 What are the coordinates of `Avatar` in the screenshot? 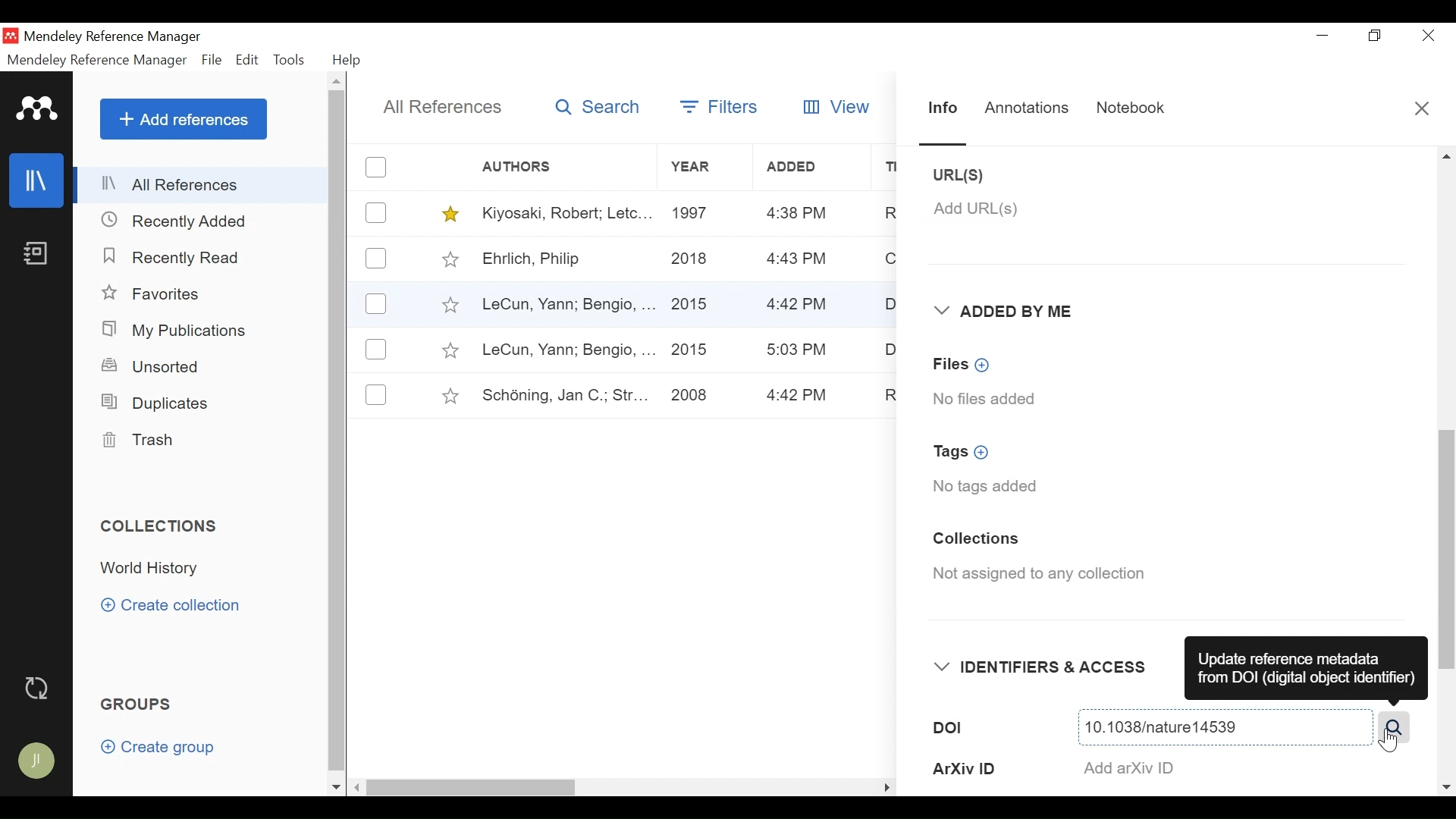 It's located at (38, 762).